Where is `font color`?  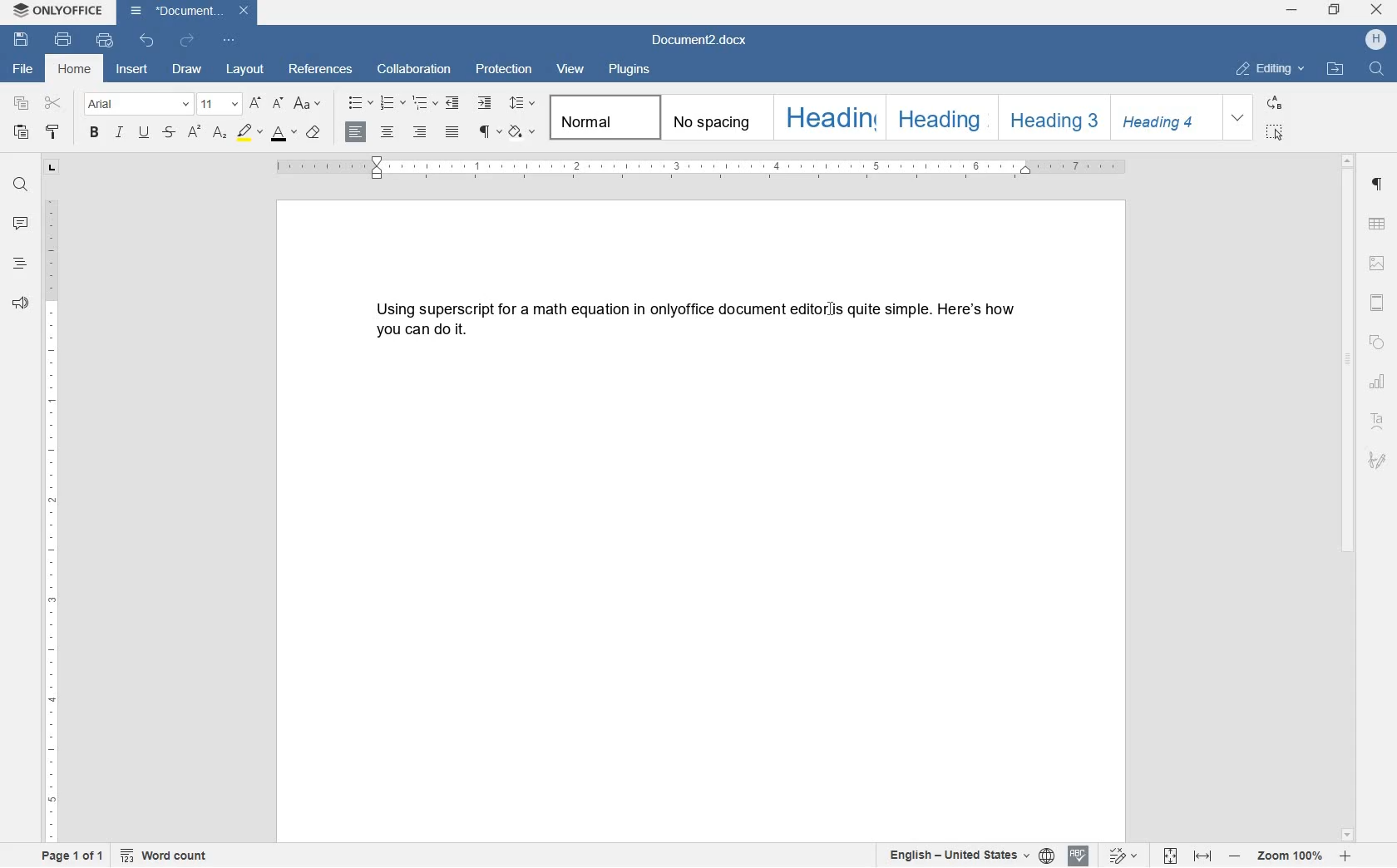
font color is located at coordinates (284, 134).